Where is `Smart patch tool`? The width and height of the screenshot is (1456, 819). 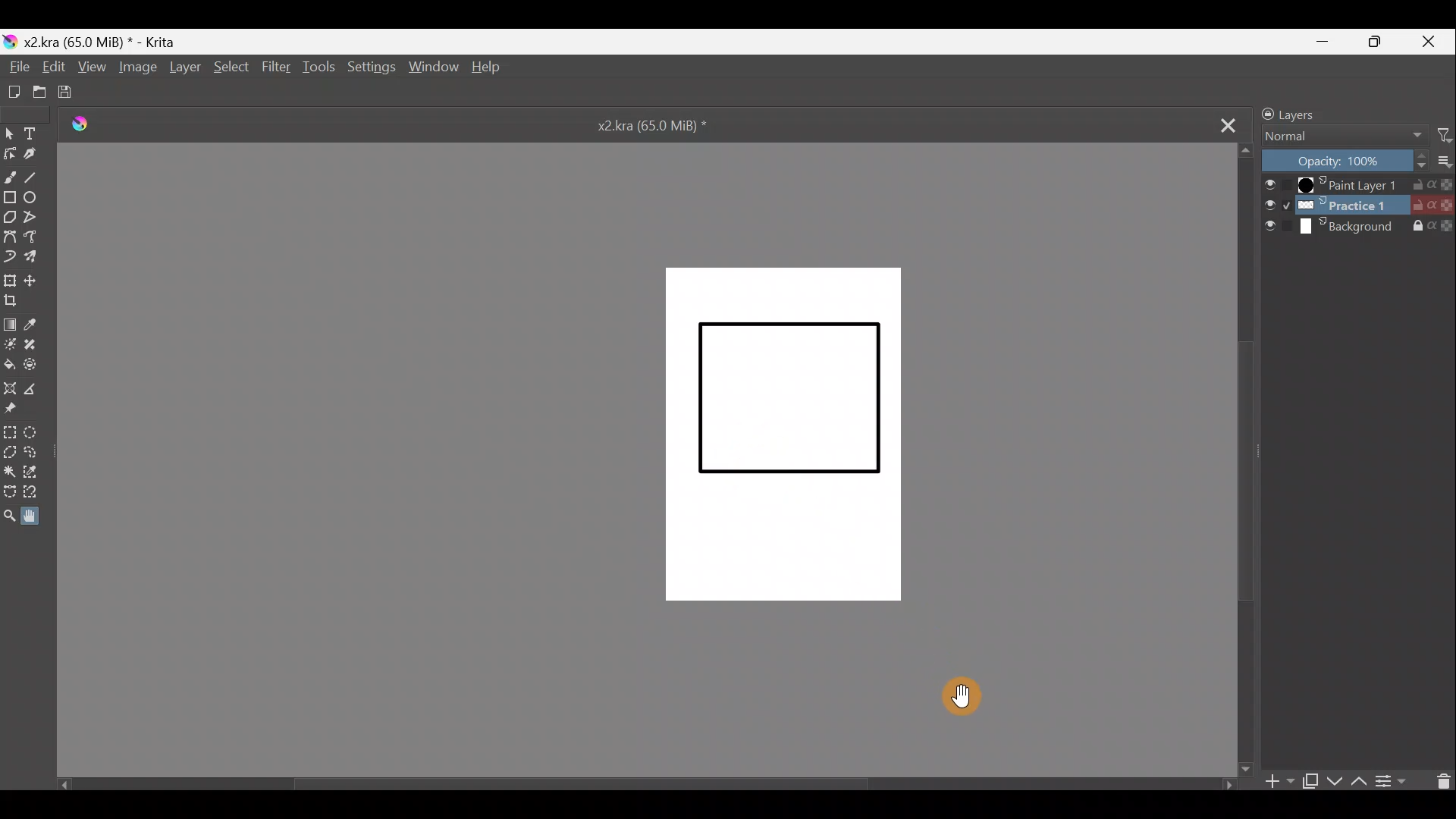
Smart patch tool is located at coordinates (36, 343).